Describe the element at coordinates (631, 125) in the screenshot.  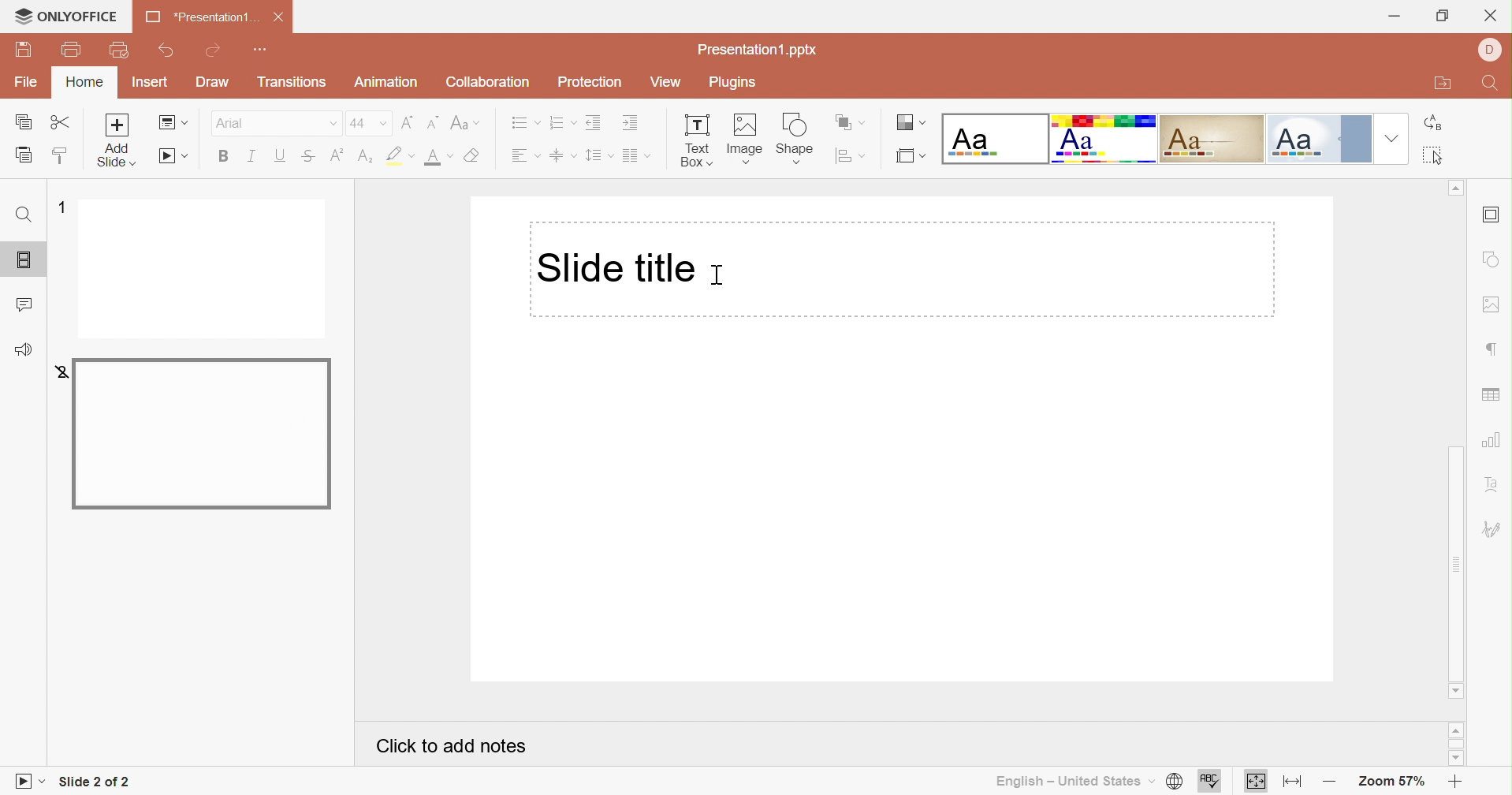
I see `Increase indent` at that location.